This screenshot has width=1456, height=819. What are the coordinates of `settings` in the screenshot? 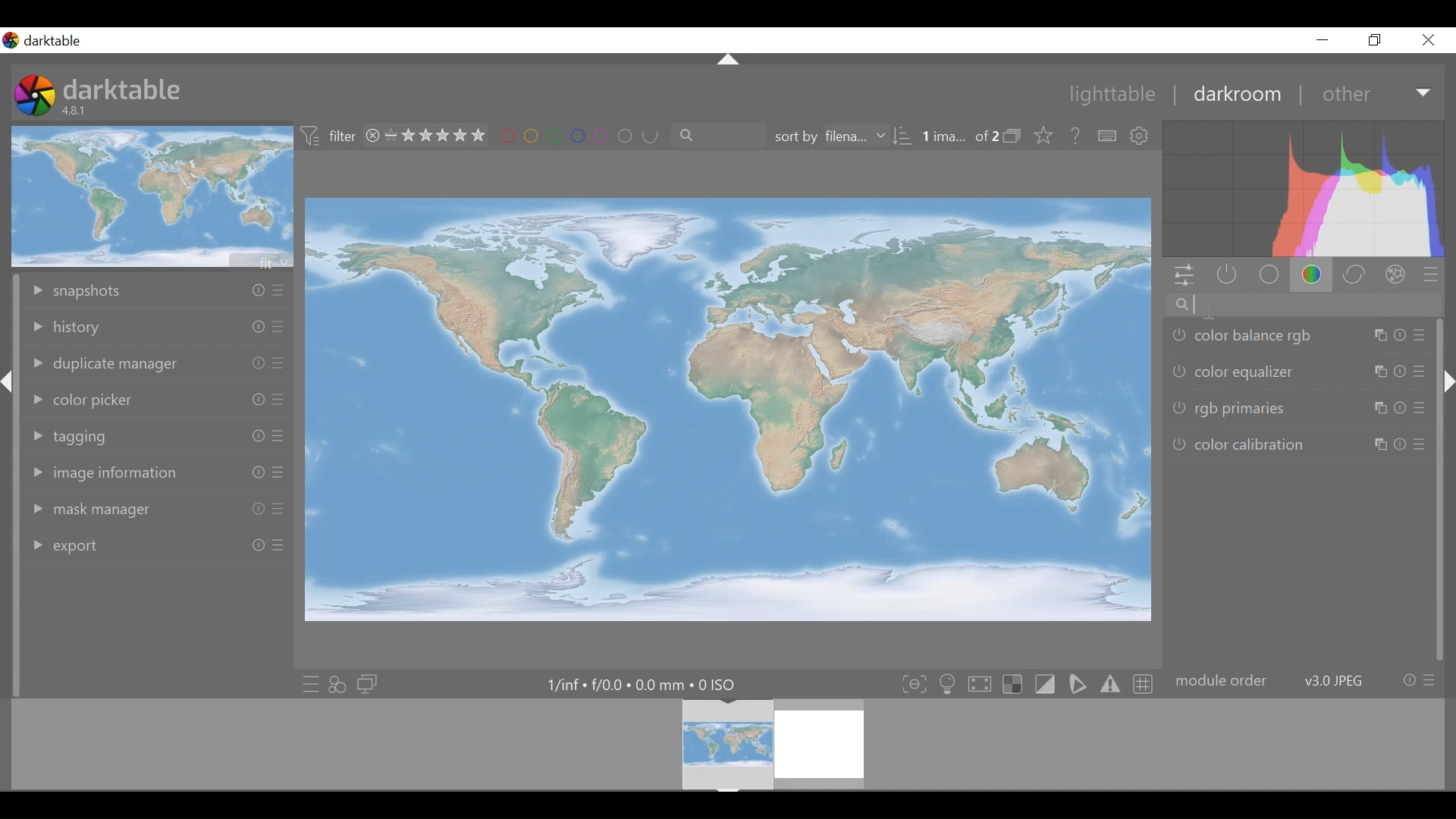 It's located at (1141, 136).